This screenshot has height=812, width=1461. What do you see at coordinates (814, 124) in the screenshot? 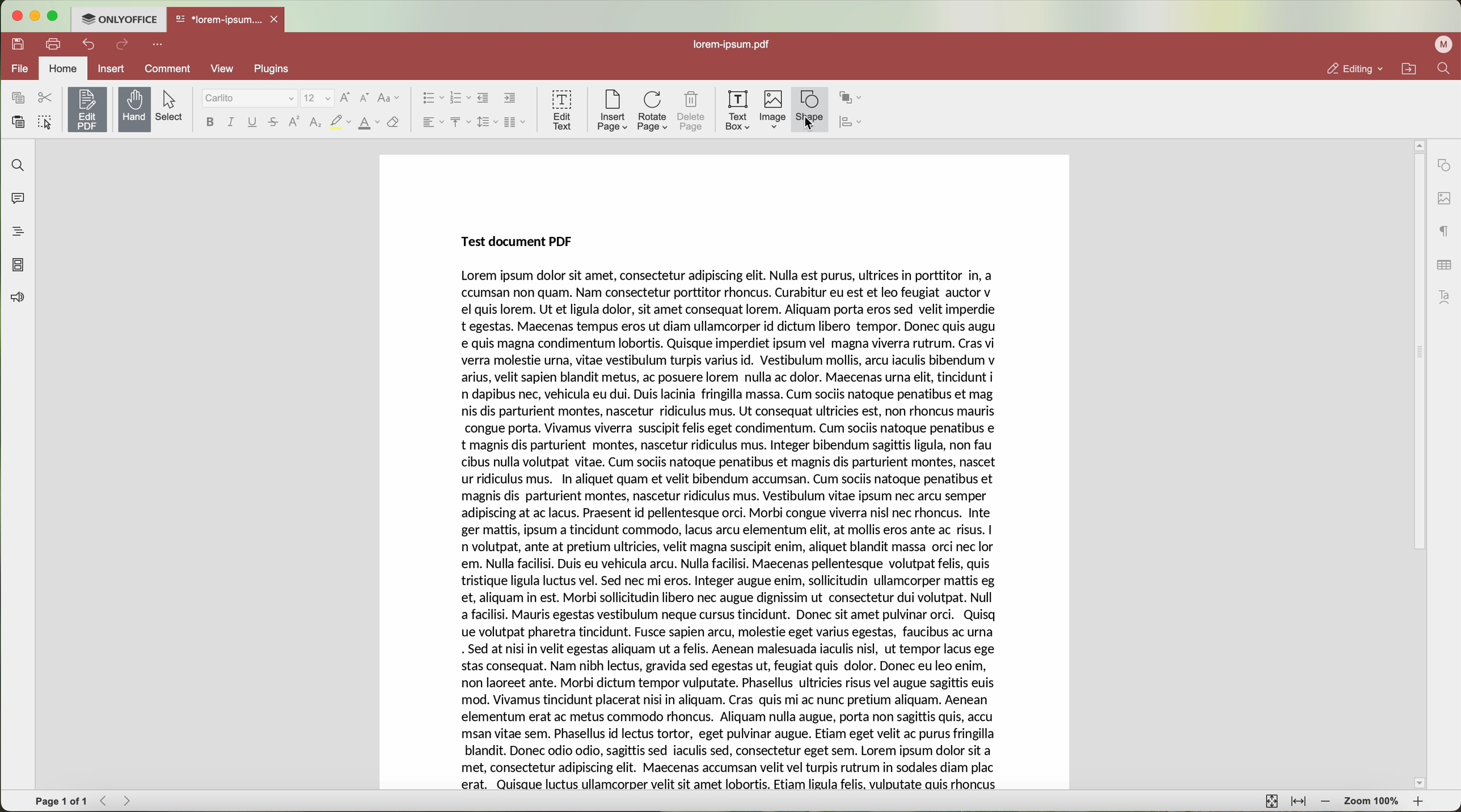
I see `cursor` at bounding box center [814, 124].